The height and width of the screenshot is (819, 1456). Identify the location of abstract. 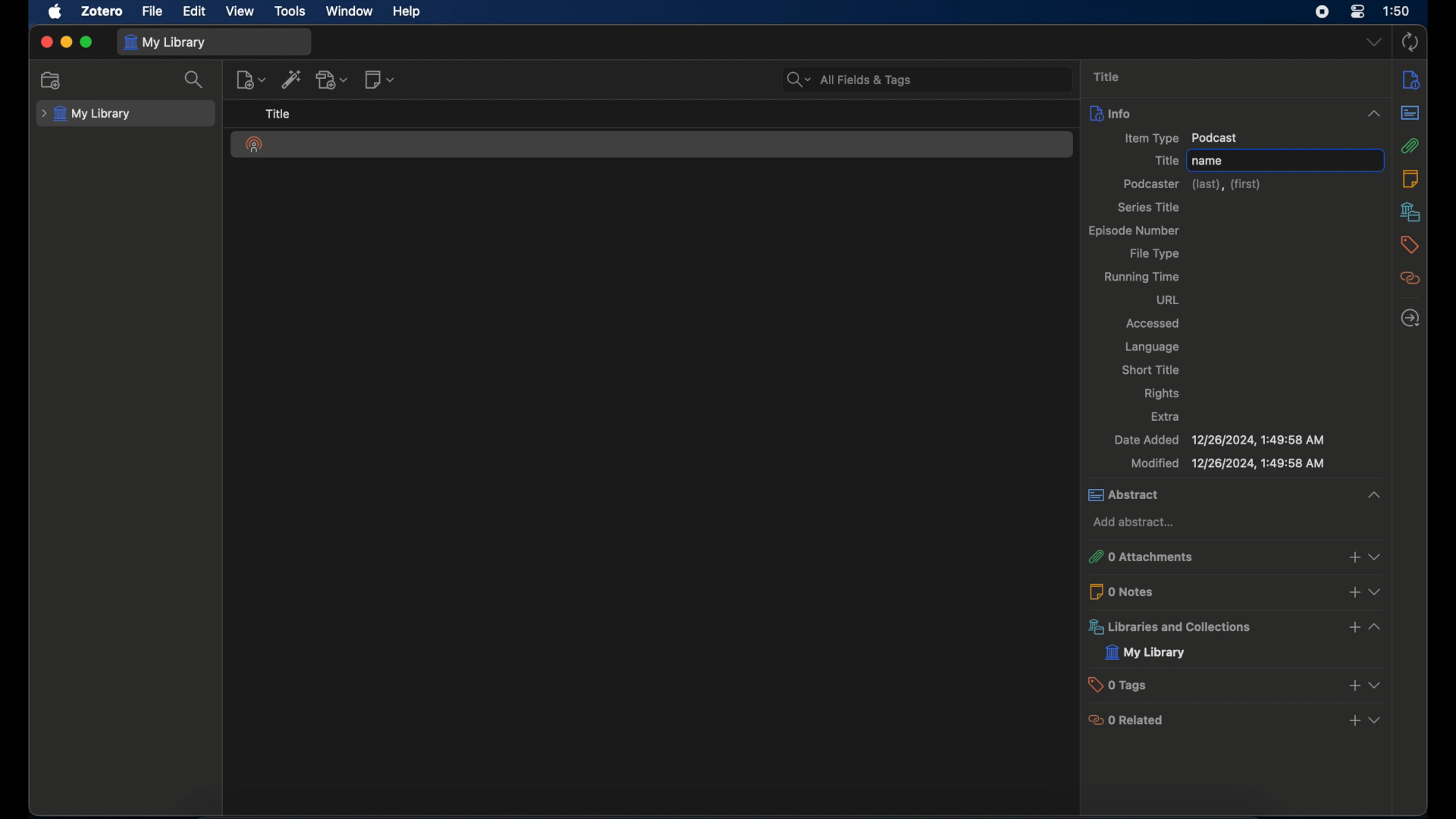
(1410, 113).